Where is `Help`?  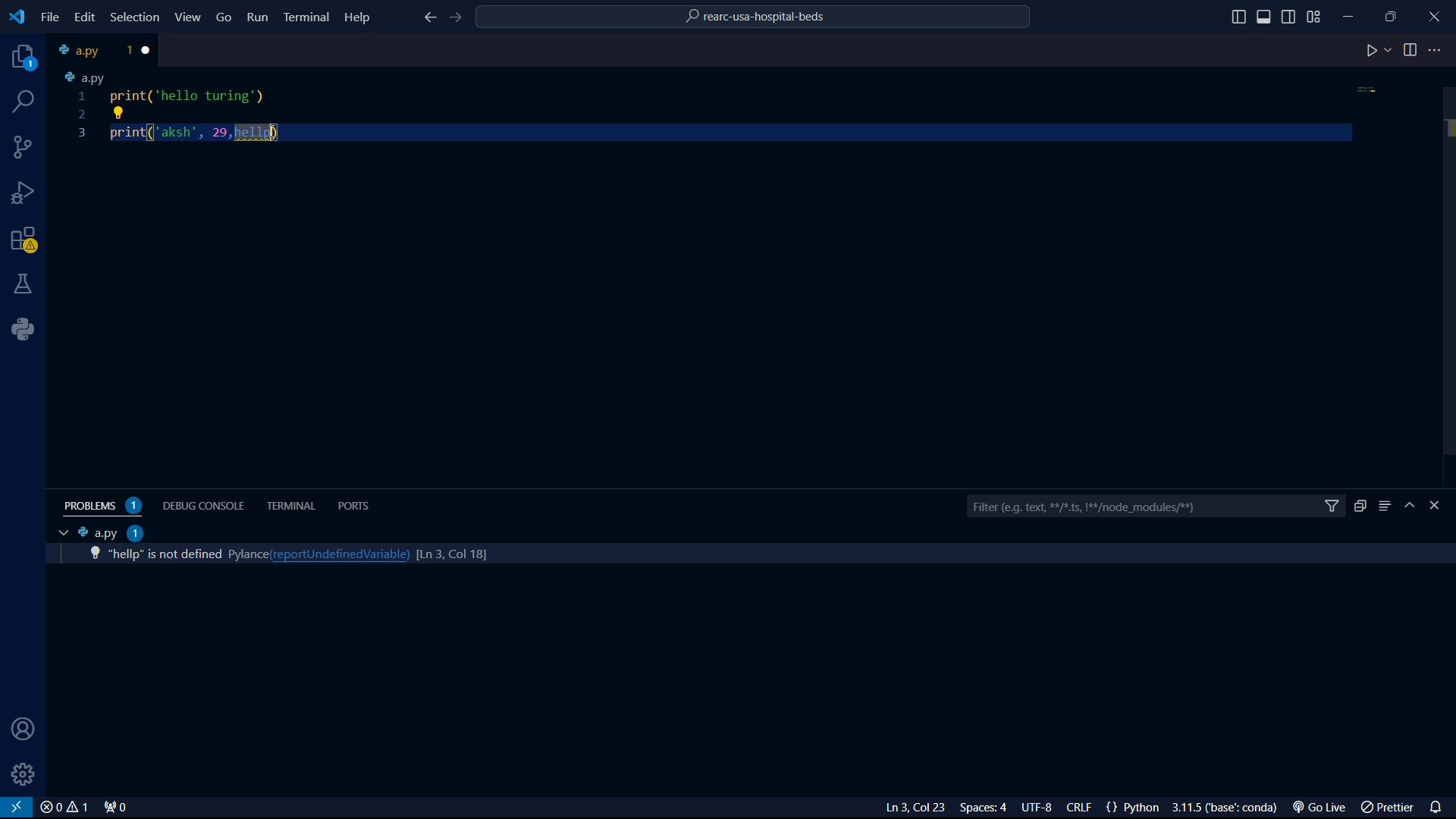 Help is located at coordinates (361, 16).